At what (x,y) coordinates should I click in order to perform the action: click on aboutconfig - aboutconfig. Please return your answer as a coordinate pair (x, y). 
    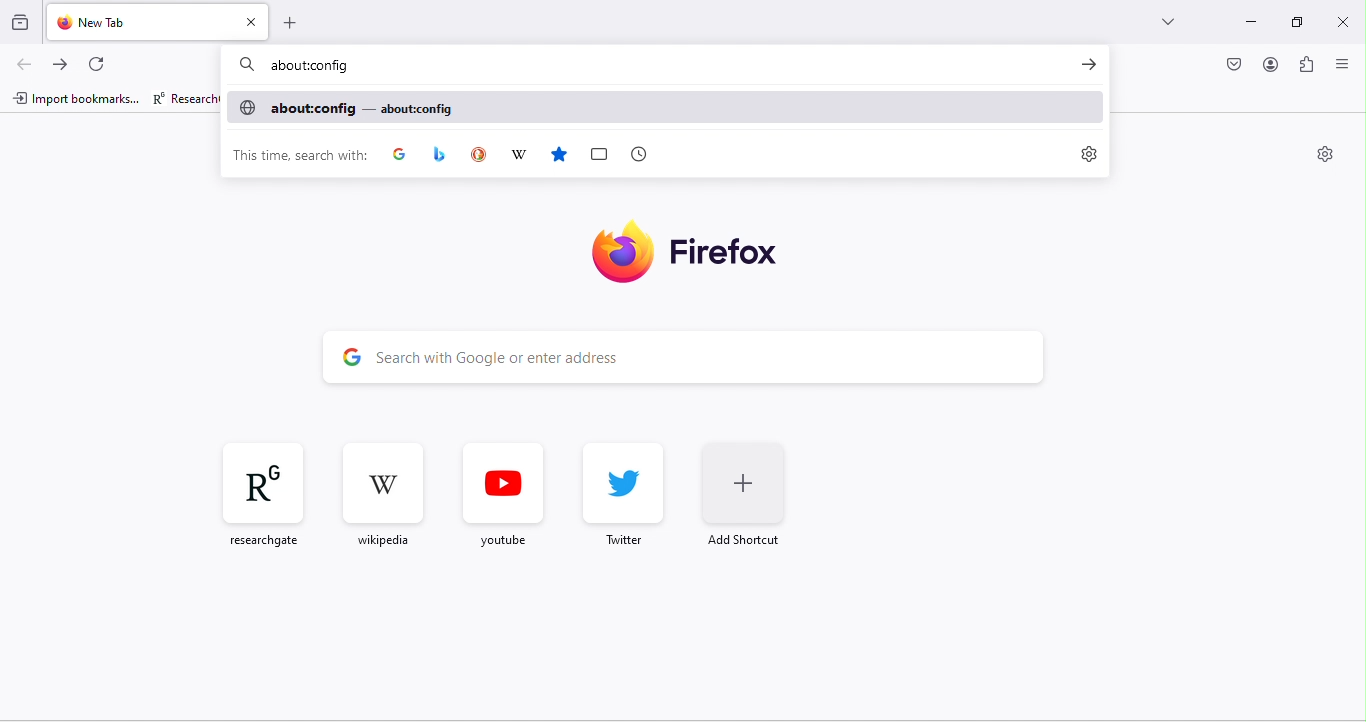
    Looking at the image, I should click on (663, 109).